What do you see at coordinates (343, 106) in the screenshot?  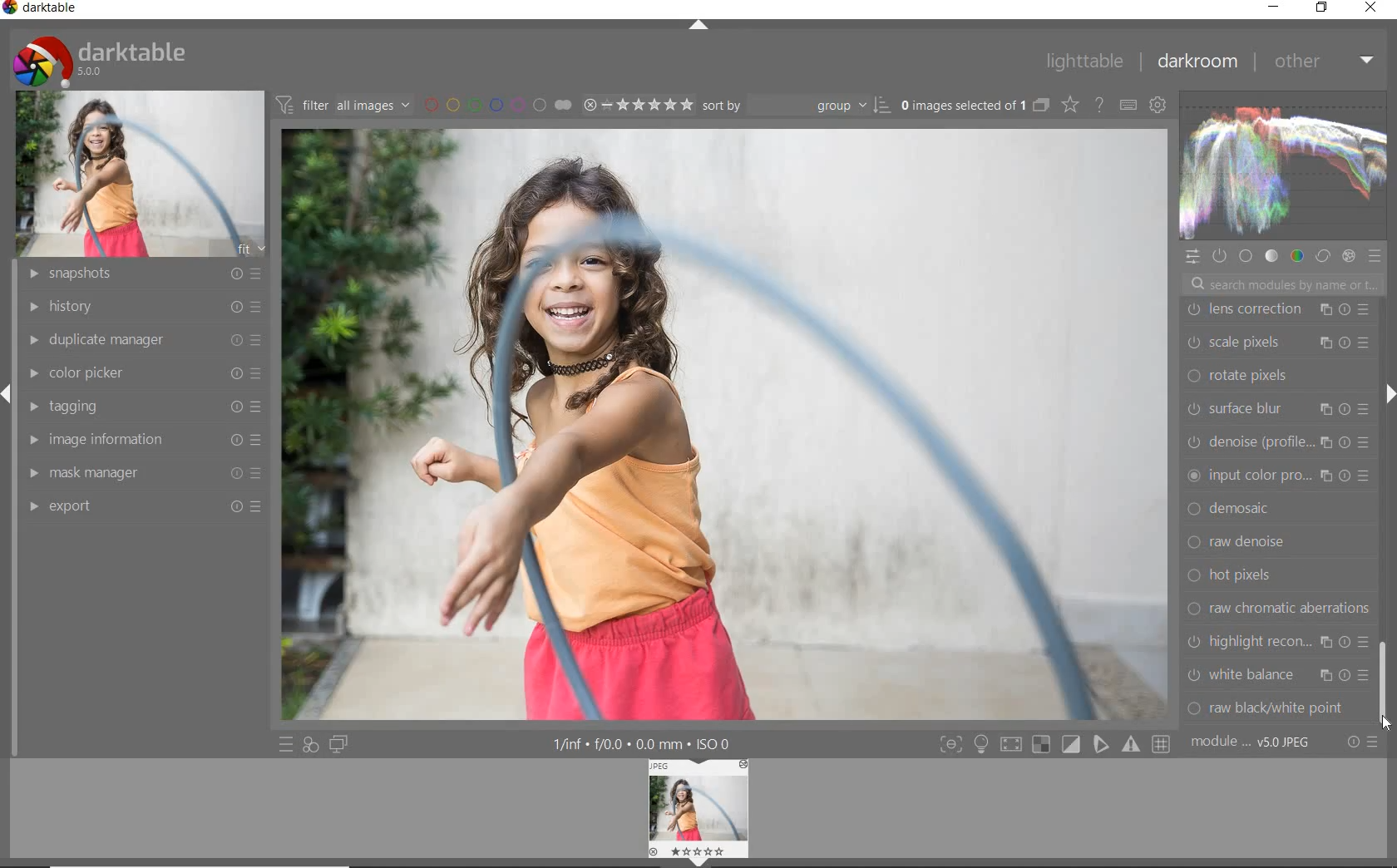 I see `filter images` at bounding box center [343, 106].